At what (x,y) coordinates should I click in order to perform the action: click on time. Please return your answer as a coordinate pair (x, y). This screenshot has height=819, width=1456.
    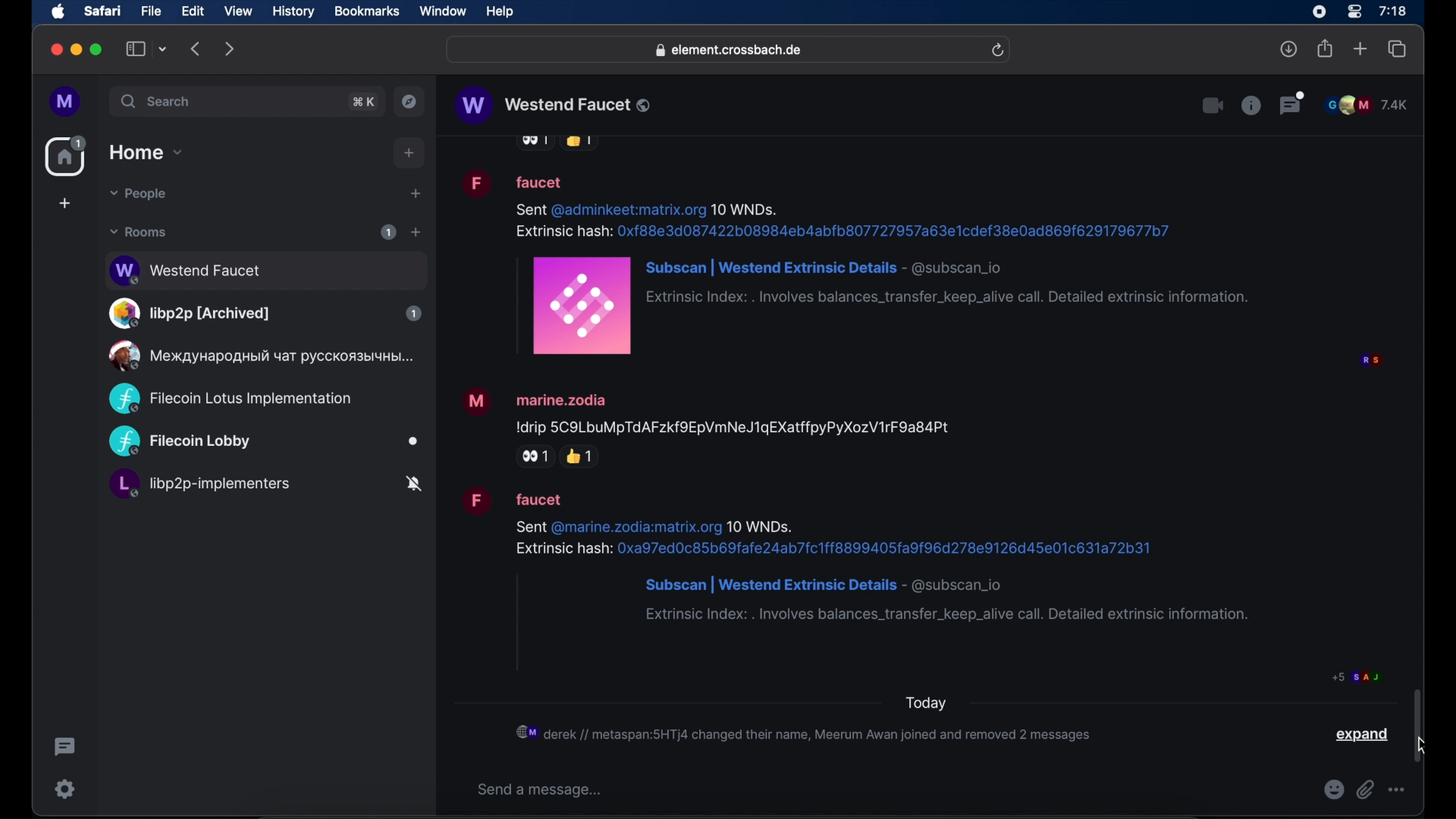
    Looking at the image, I should click on (1392, 11).